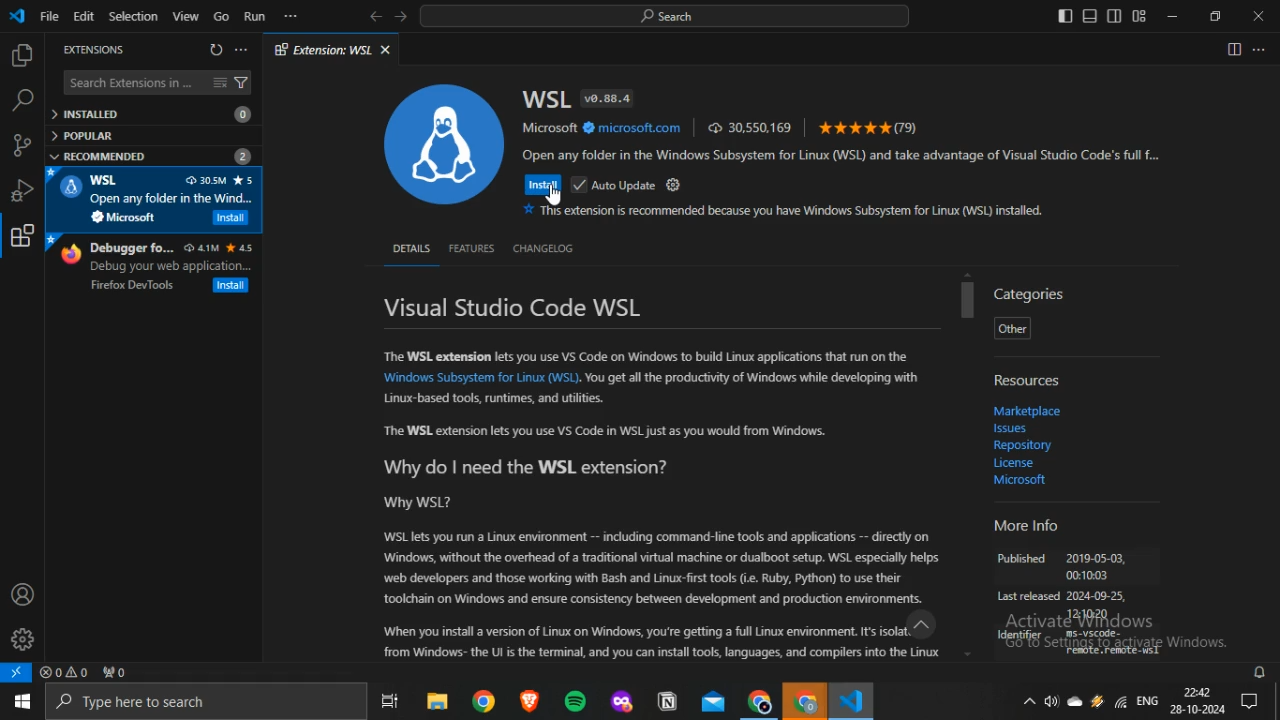  Describe the element at coordinates (133, 248) in the screenshot. I see `Debugger fo...` at that location.